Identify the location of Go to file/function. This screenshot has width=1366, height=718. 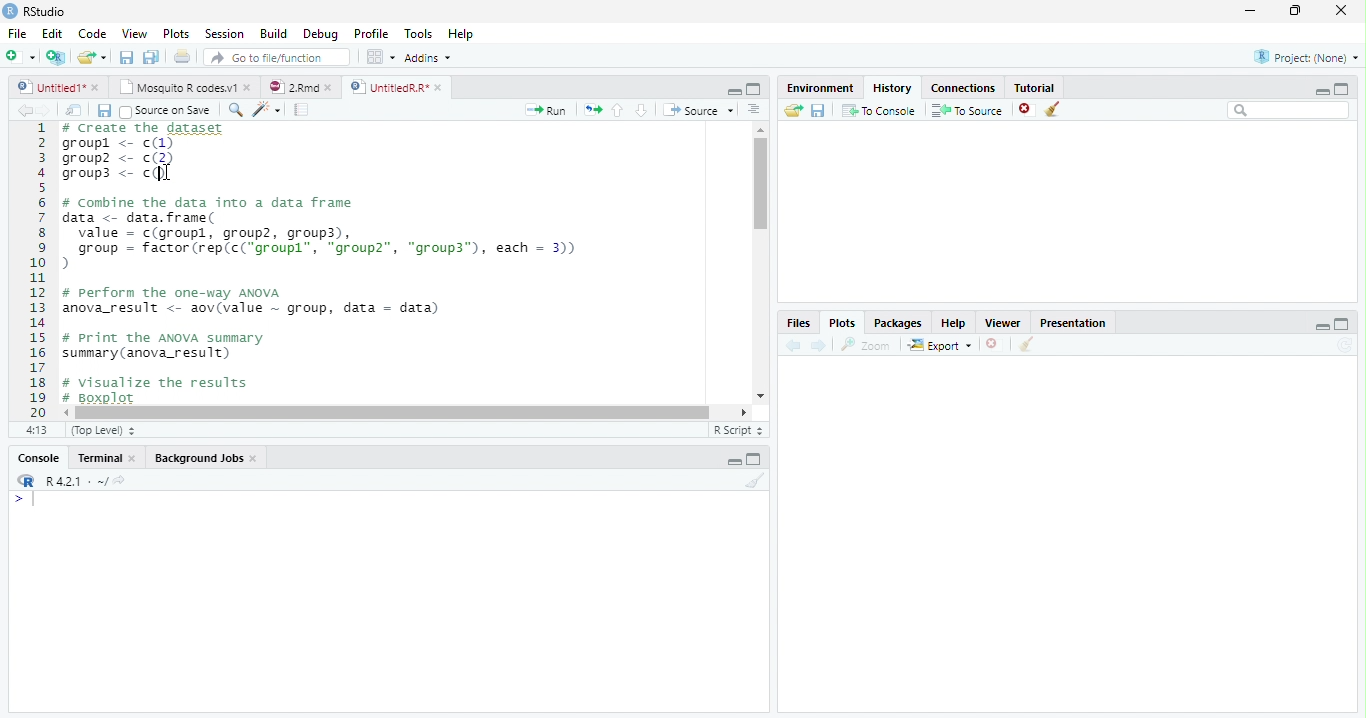
(277, 58).